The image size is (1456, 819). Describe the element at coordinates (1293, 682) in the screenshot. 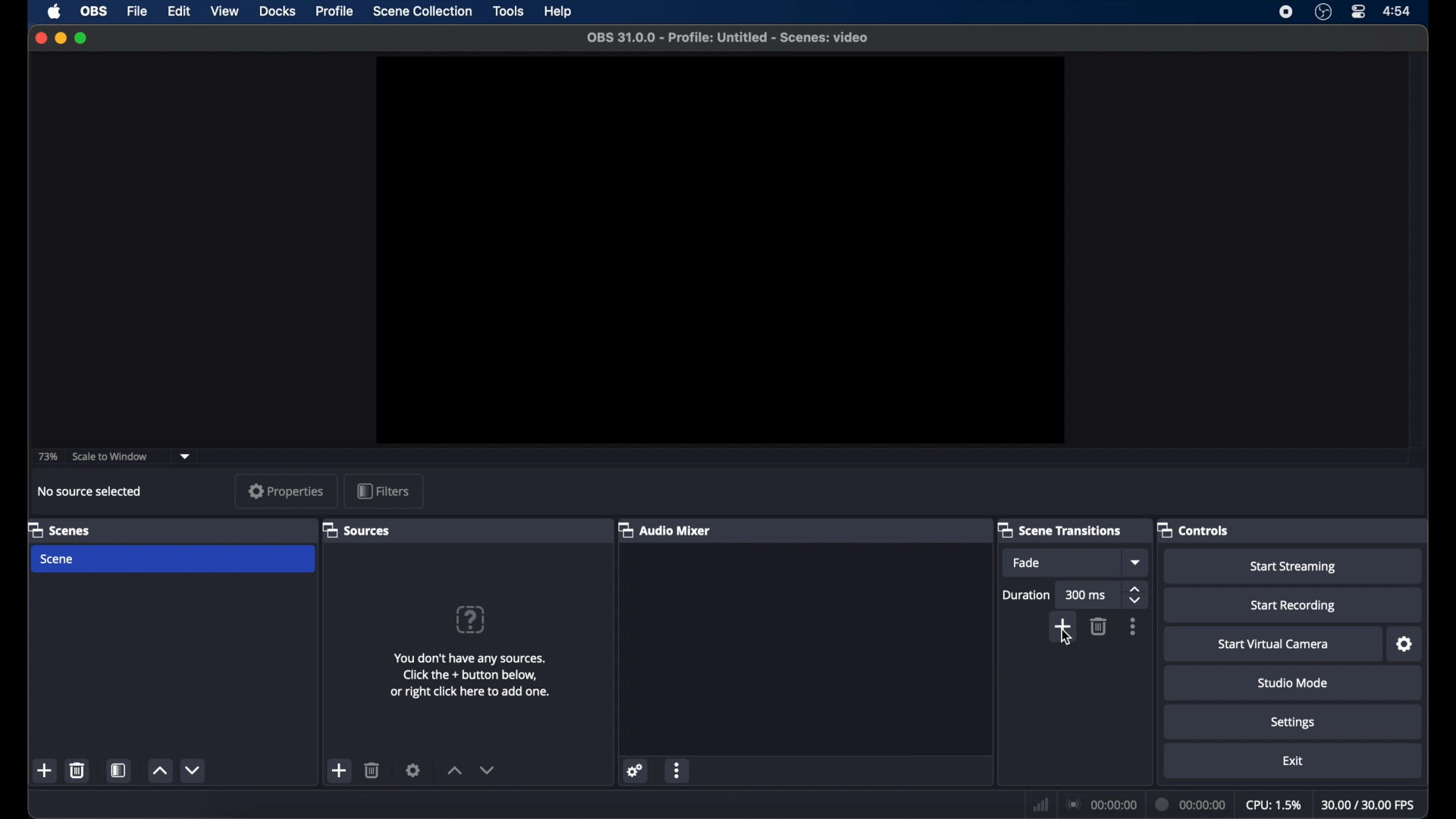

I see `studio mode` at that location.